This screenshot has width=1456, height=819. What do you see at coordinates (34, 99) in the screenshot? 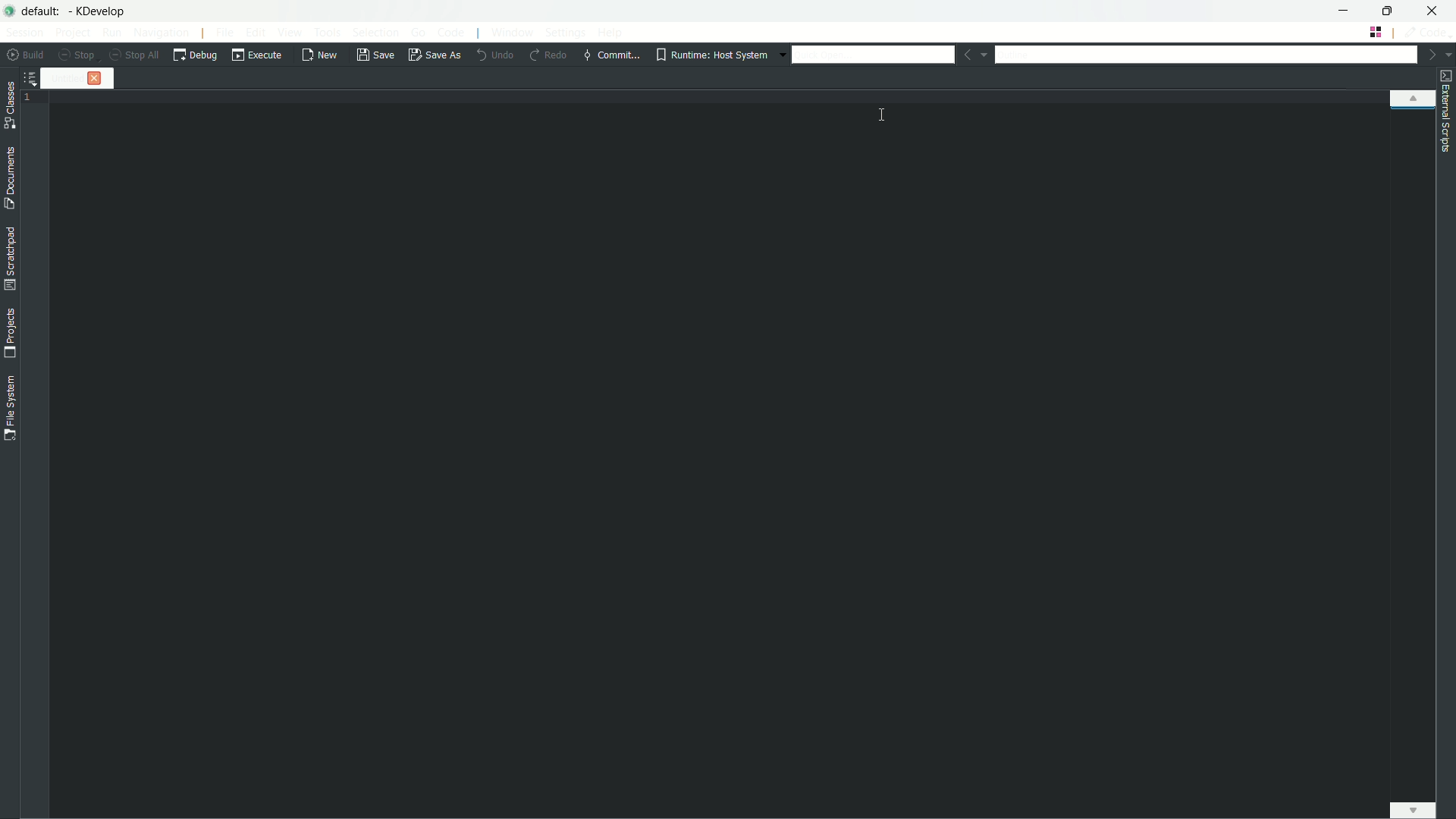
I see `1` at bounding box center [34, 99].